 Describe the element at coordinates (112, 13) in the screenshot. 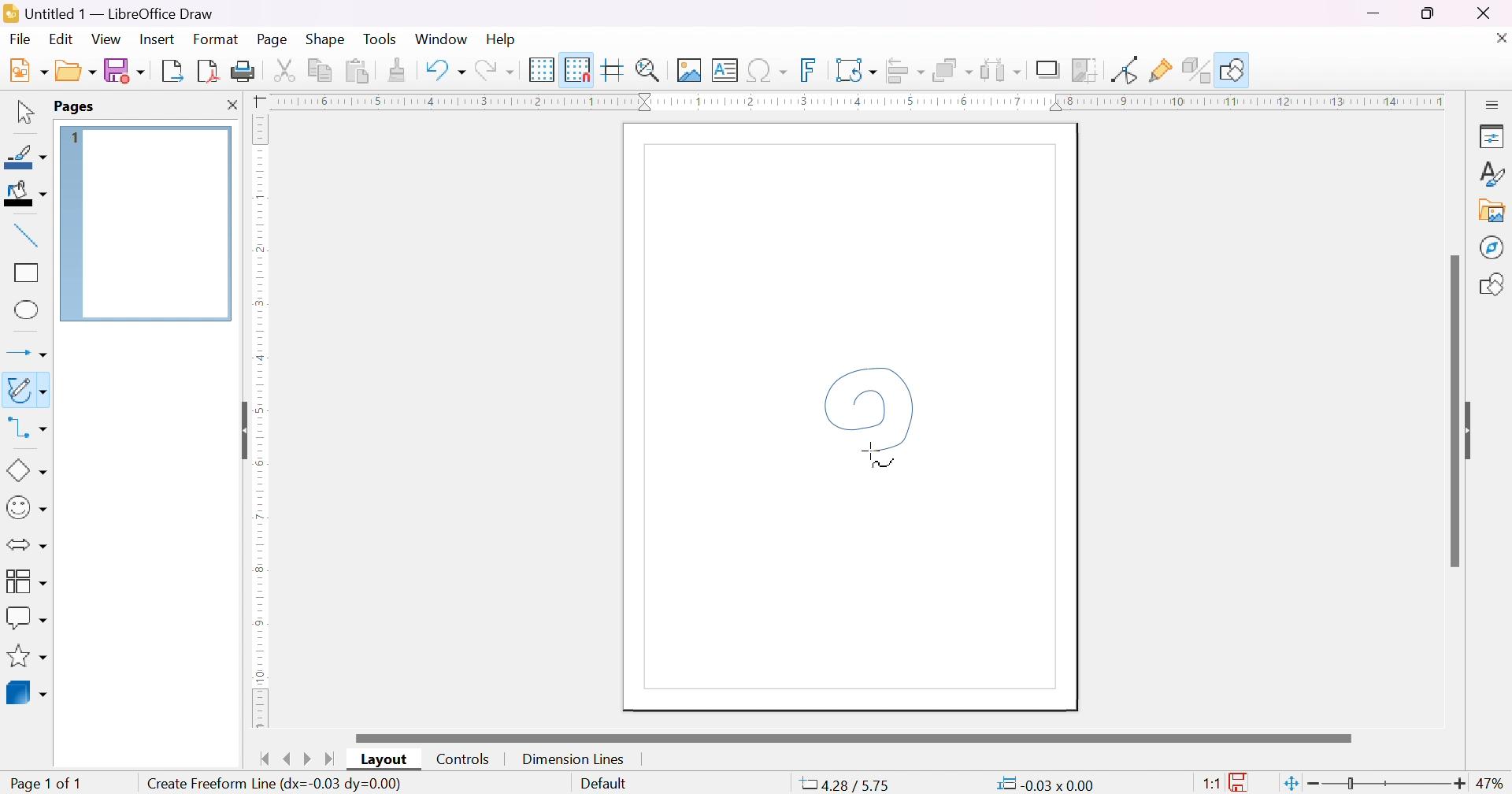

I see `application name` at that location.